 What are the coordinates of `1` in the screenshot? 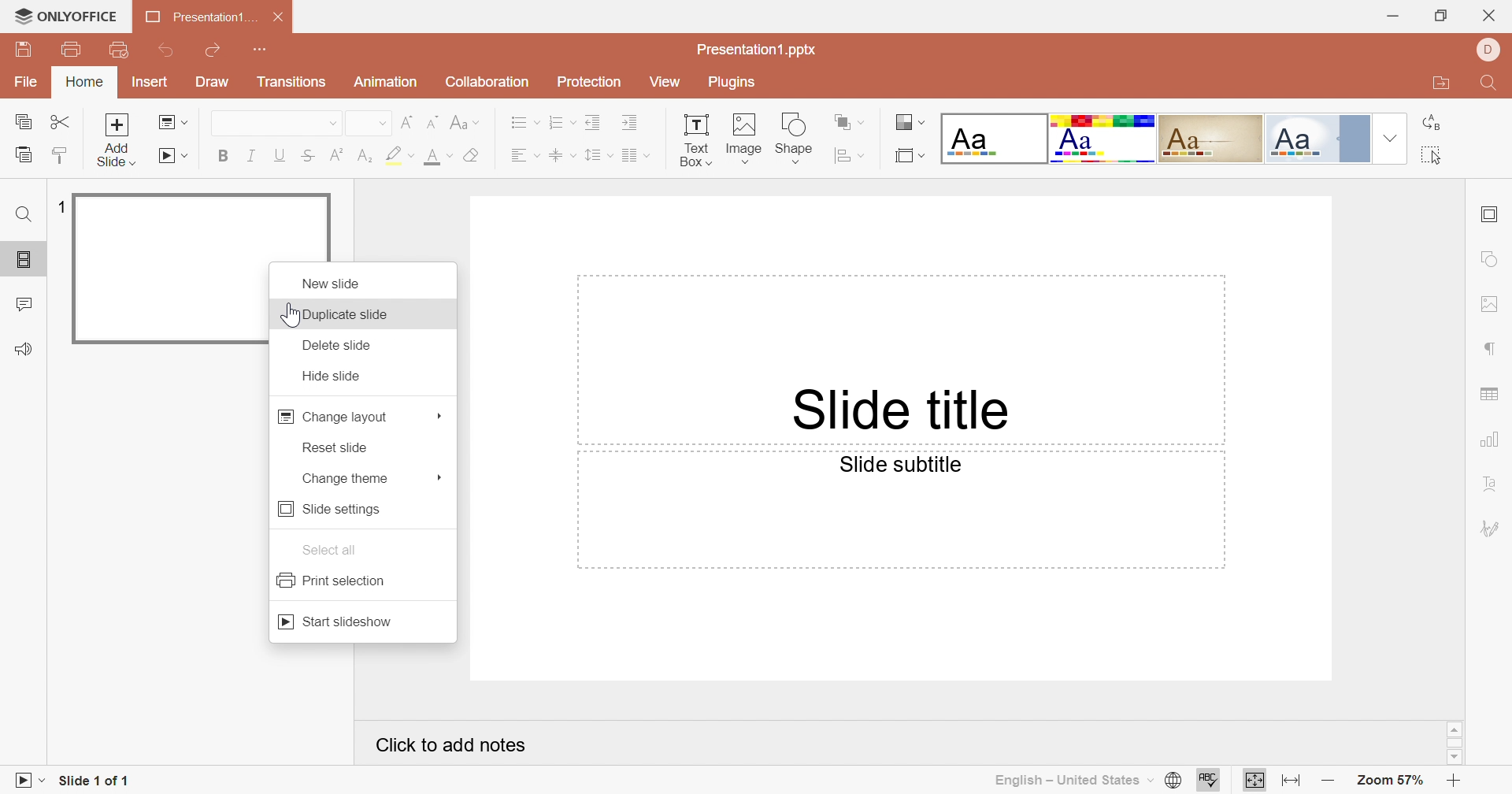 It's located at (57, 201).